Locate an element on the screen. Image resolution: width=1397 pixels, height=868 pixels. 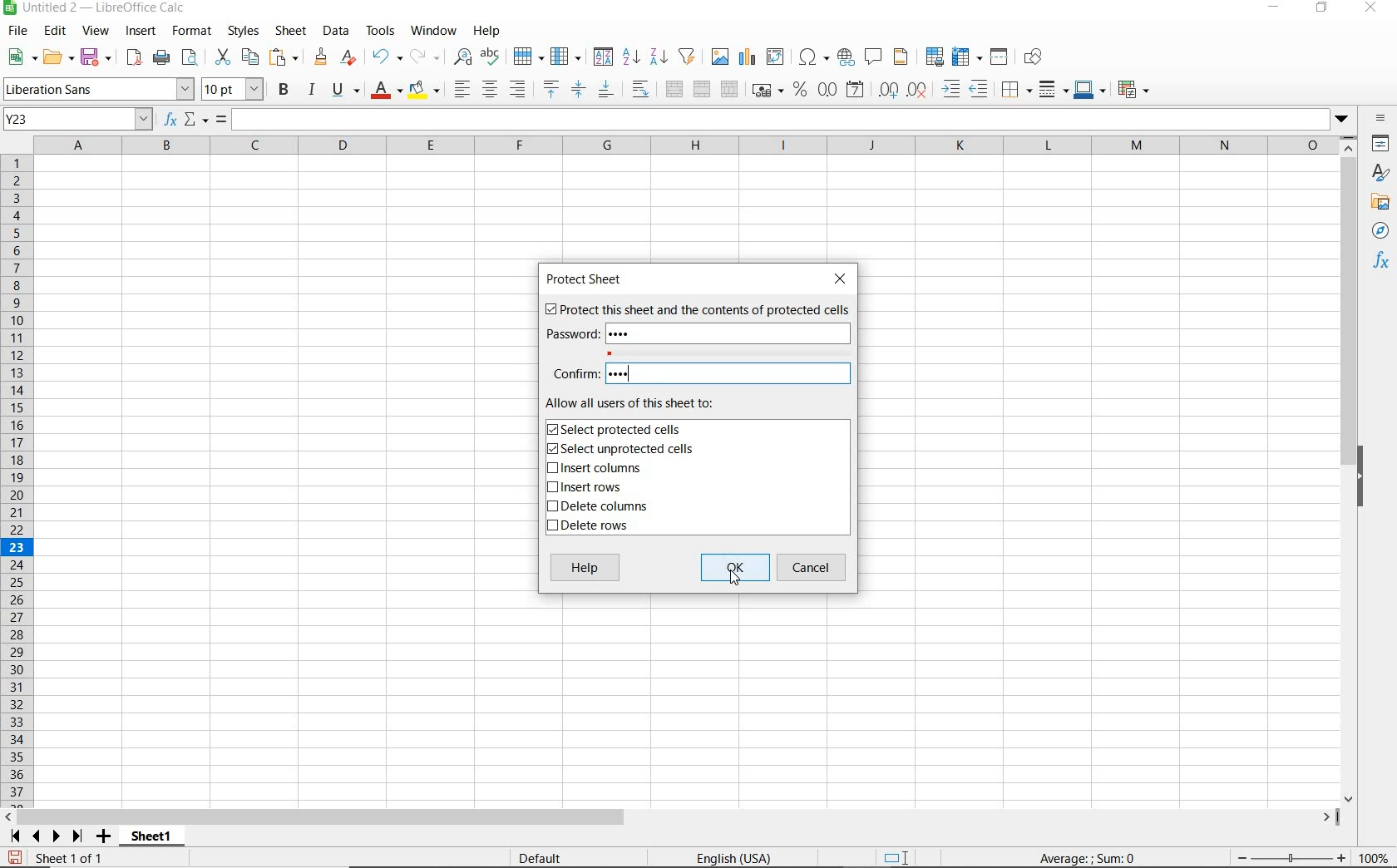
TOOLS is located at coordinates (379, 31).